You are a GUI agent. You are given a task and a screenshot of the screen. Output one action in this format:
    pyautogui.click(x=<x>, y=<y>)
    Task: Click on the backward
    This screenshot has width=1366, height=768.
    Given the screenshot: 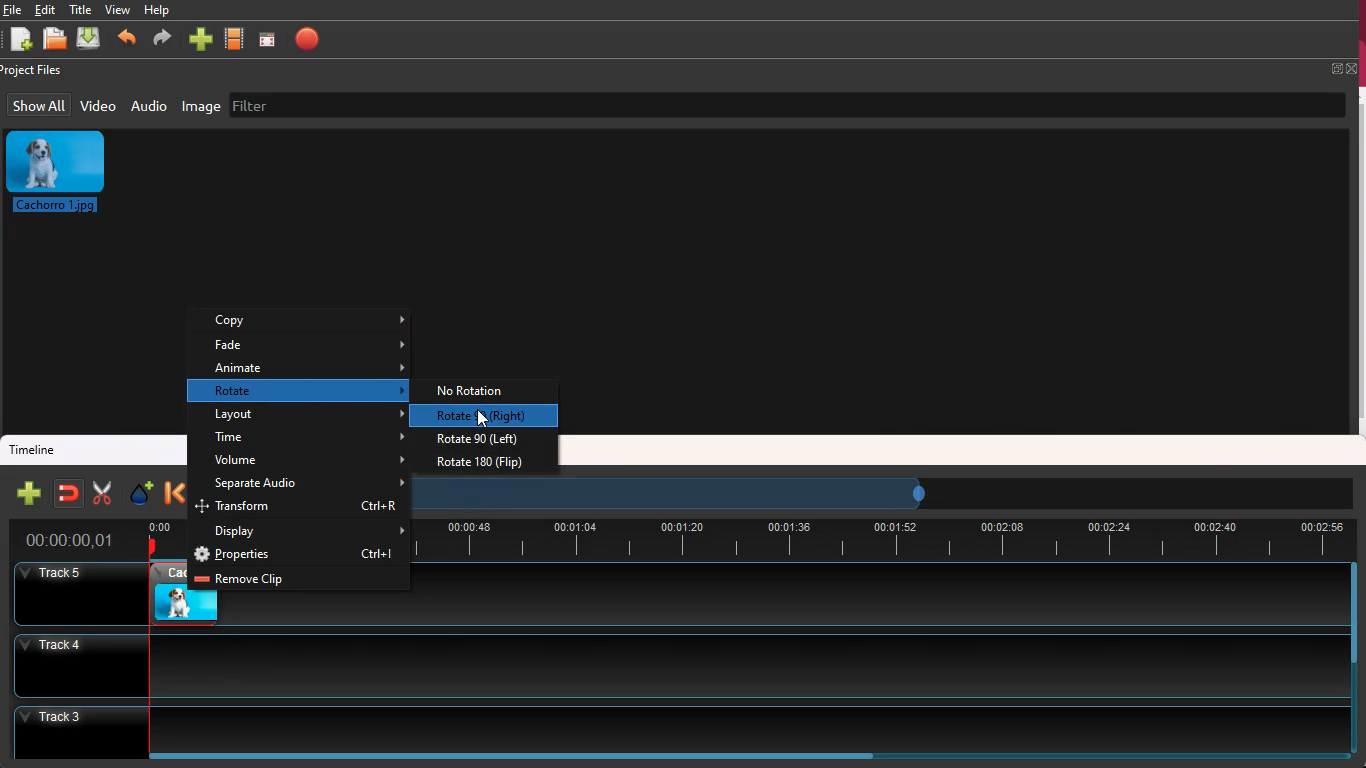 What is the action you would take?
    pyautogui.click(x=128, y=37)
    